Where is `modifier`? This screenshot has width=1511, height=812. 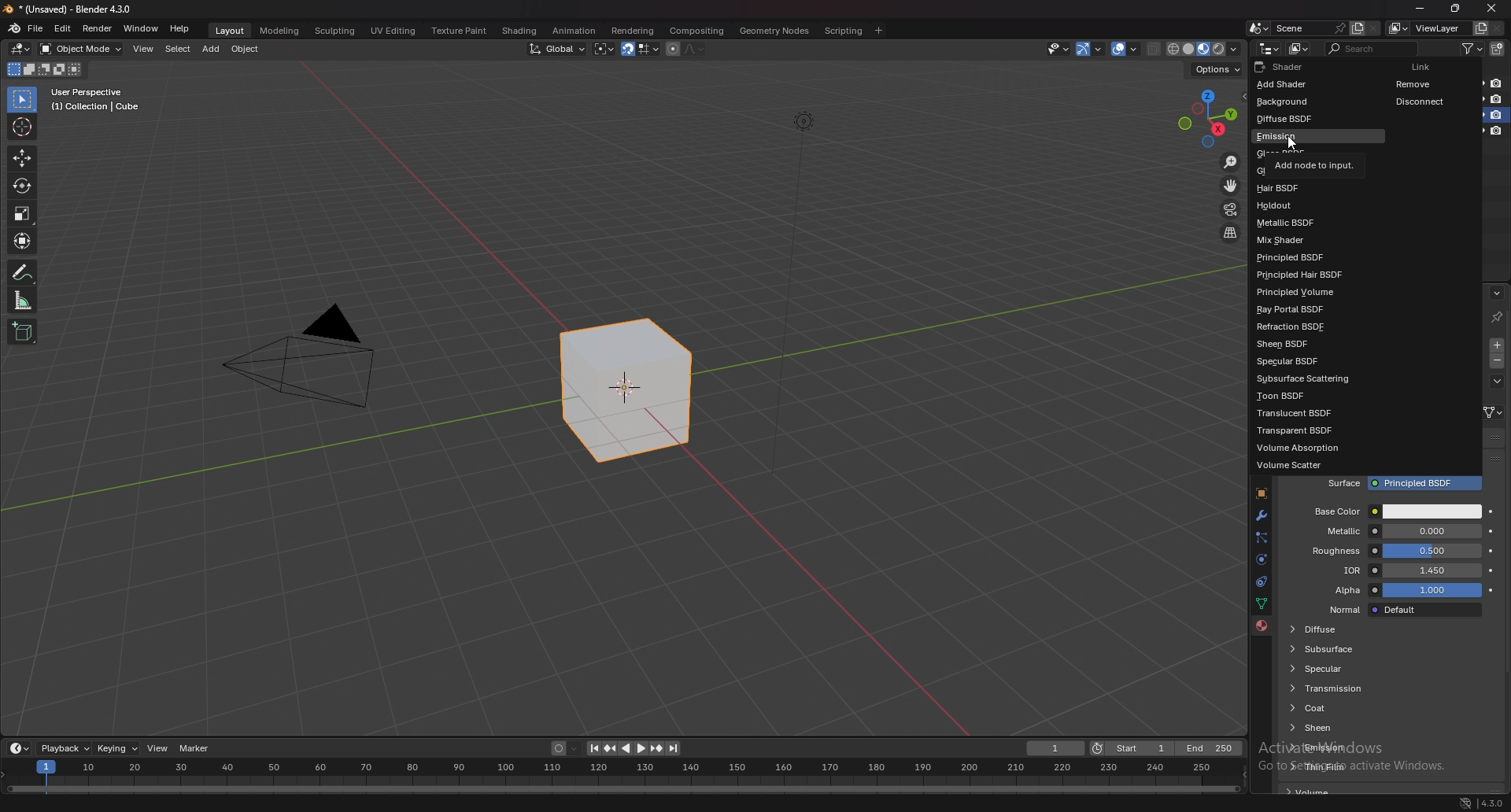
modifier is located at coordinates (1261, 515).